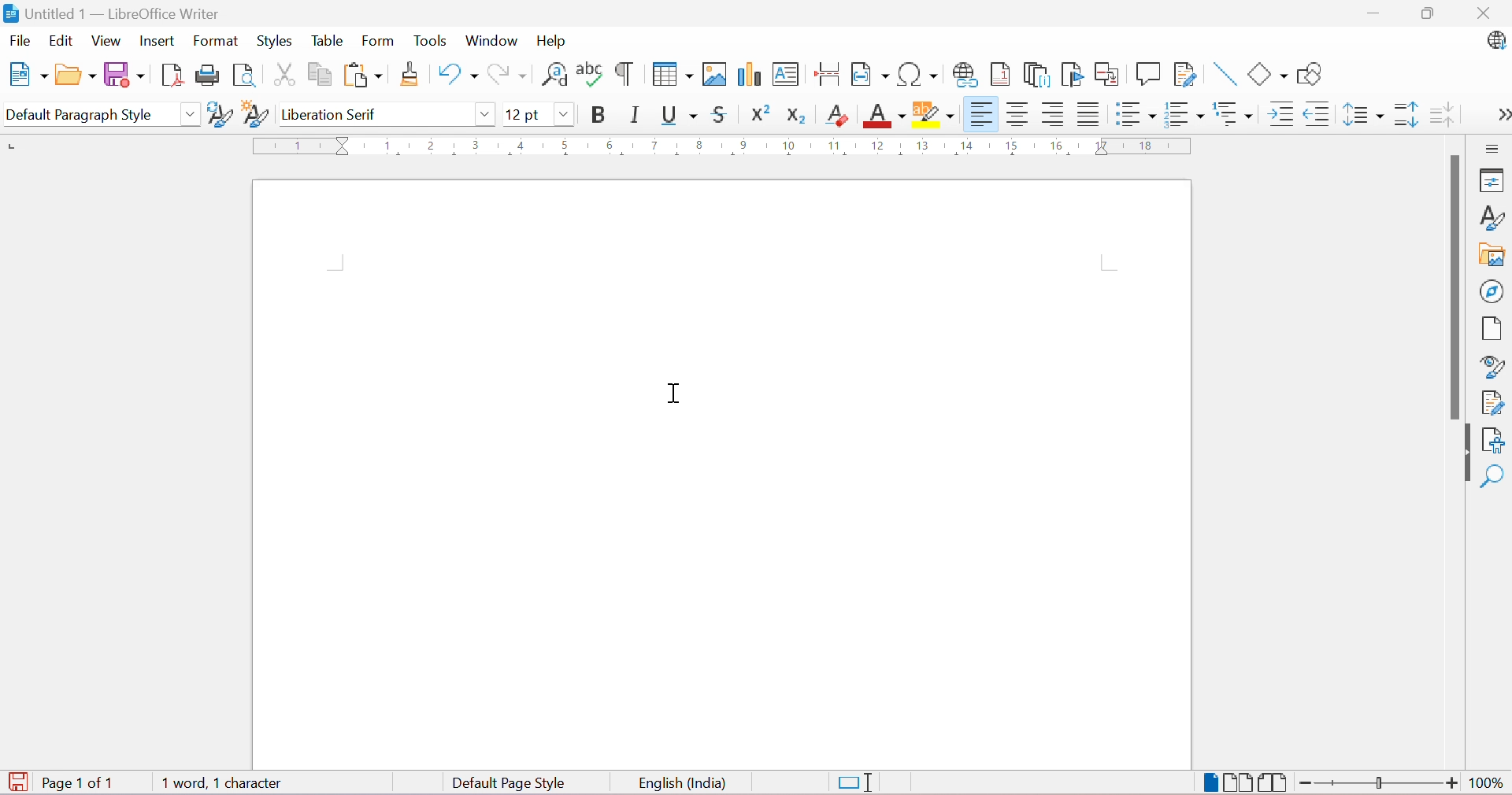 This screenshot has height=795, width=1512. Describe the element at coordinates (1310, 74) in the screenshot. I see `Show Draw Functions` at that location.